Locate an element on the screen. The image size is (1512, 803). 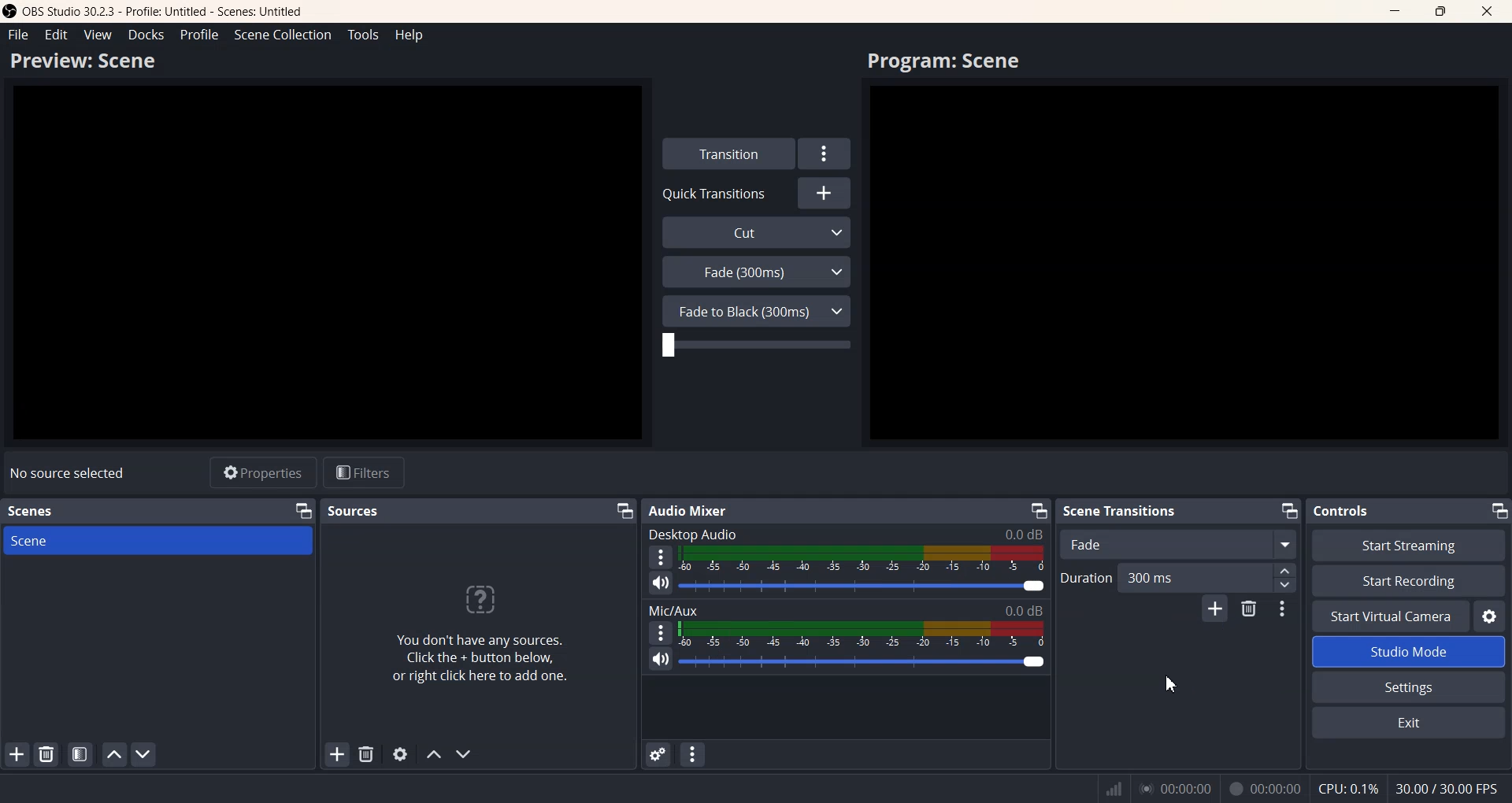
Start Streaming is located at coordinates (1408, 546).